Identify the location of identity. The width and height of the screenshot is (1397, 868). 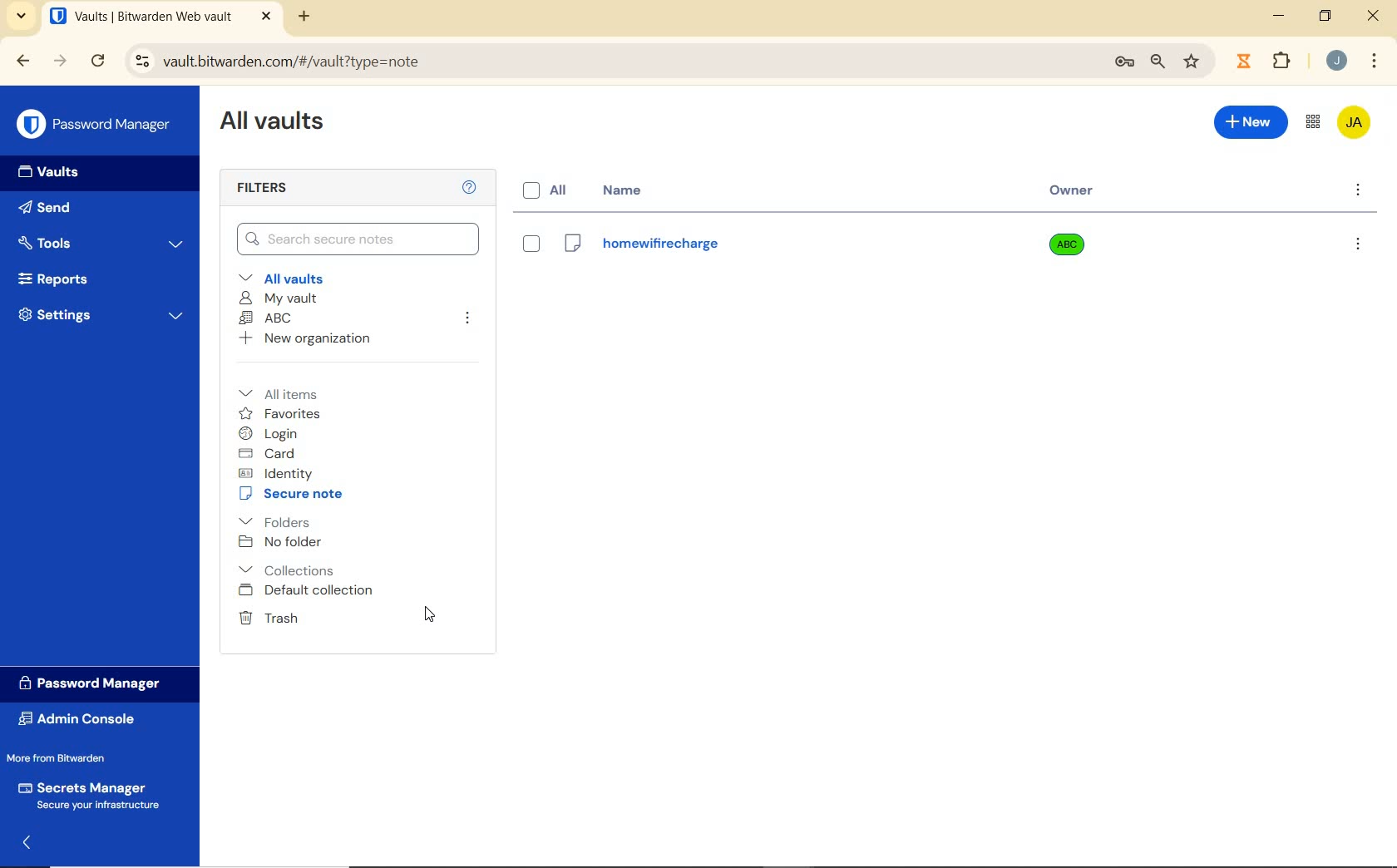
(275, 472).